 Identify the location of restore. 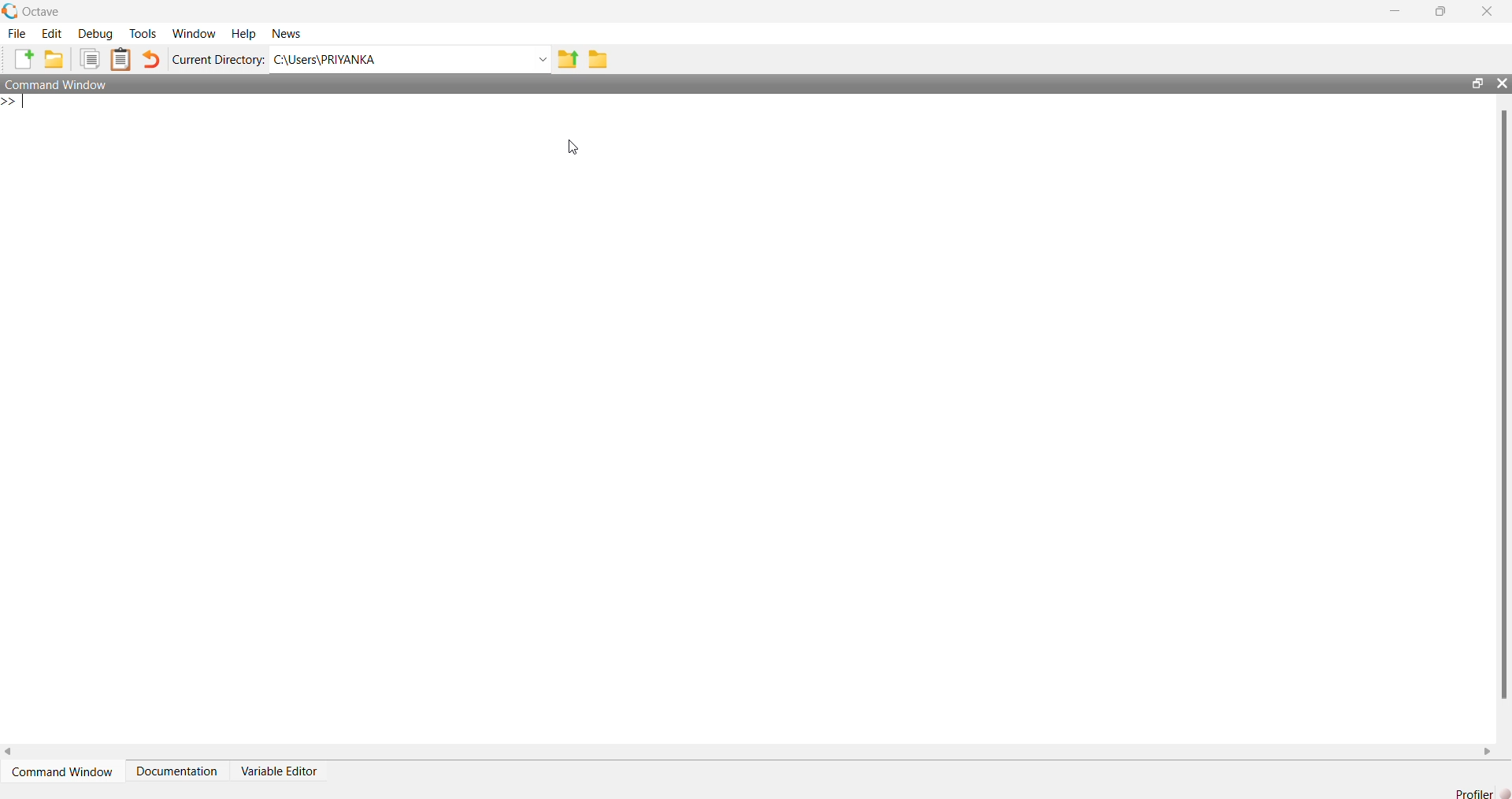
(1480, 84).